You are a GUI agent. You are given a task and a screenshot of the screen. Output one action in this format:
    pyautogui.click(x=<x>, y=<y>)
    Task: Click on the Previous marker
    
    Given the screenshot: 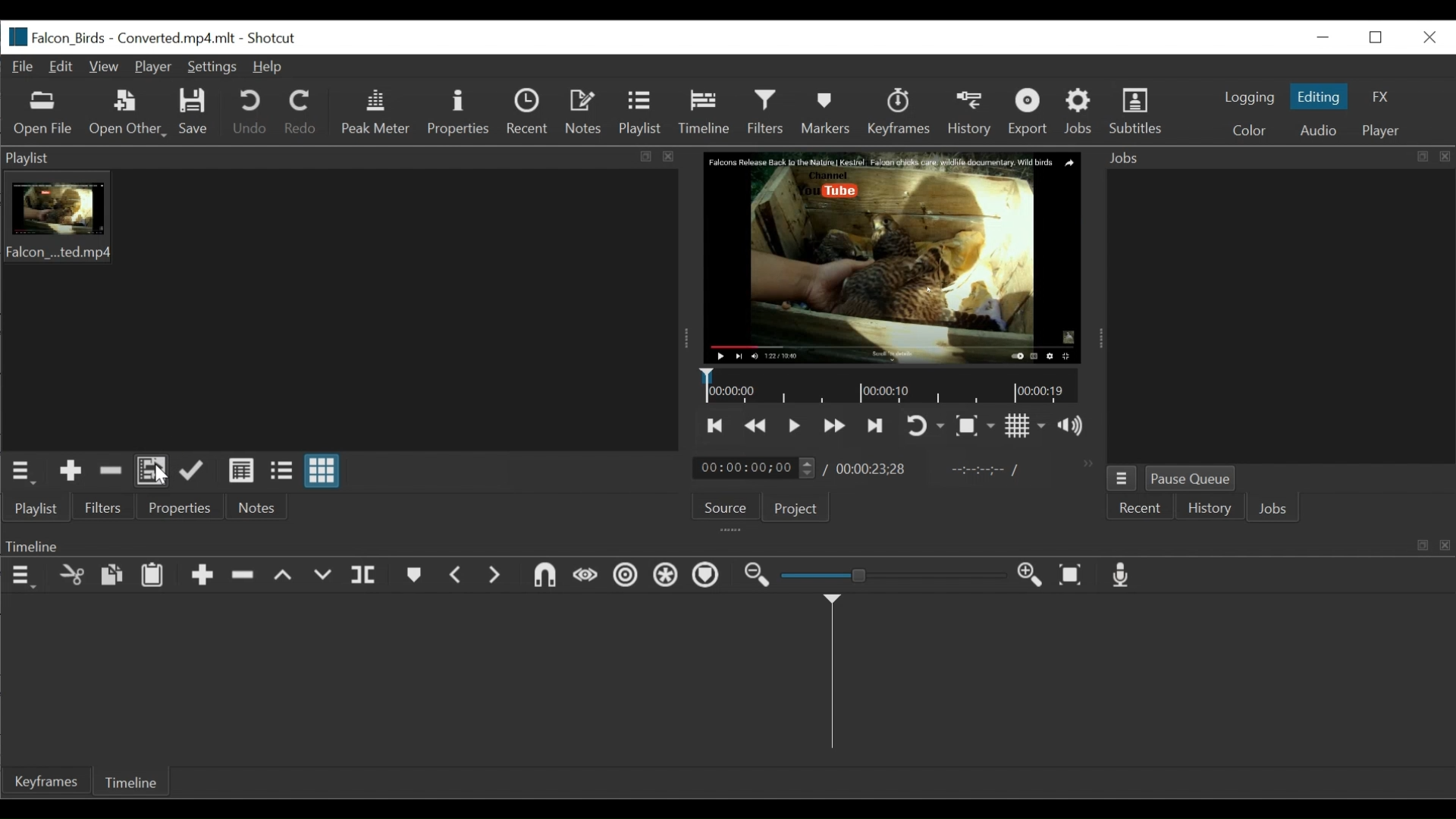 What is the action you would take?
    pyautogui.click(x=457, y=575)
    